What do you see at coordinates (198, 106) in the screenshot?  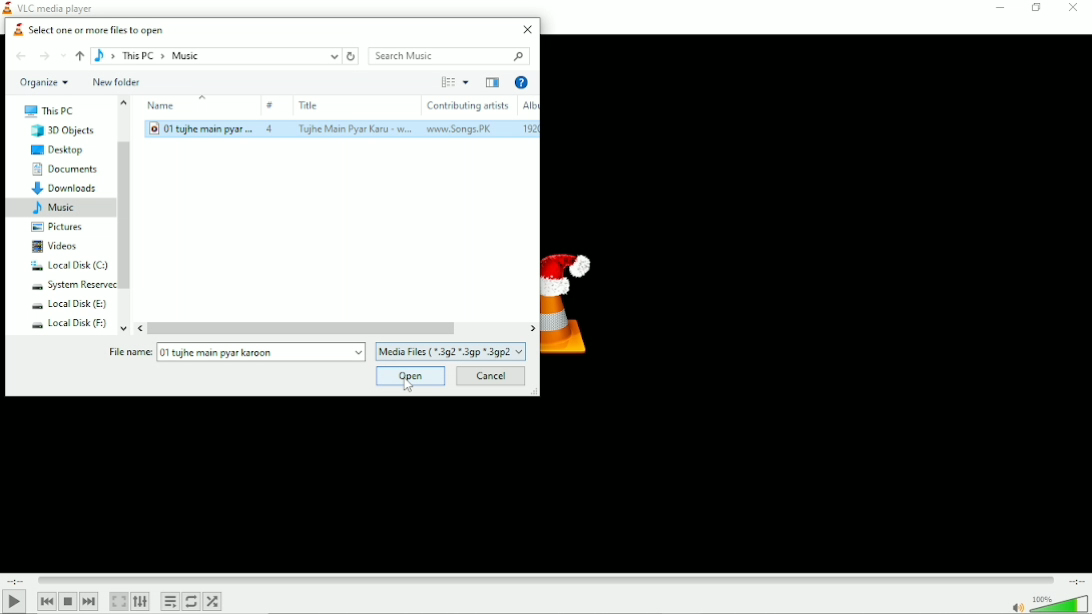 I see `Name` at bounding box center [198, 106].